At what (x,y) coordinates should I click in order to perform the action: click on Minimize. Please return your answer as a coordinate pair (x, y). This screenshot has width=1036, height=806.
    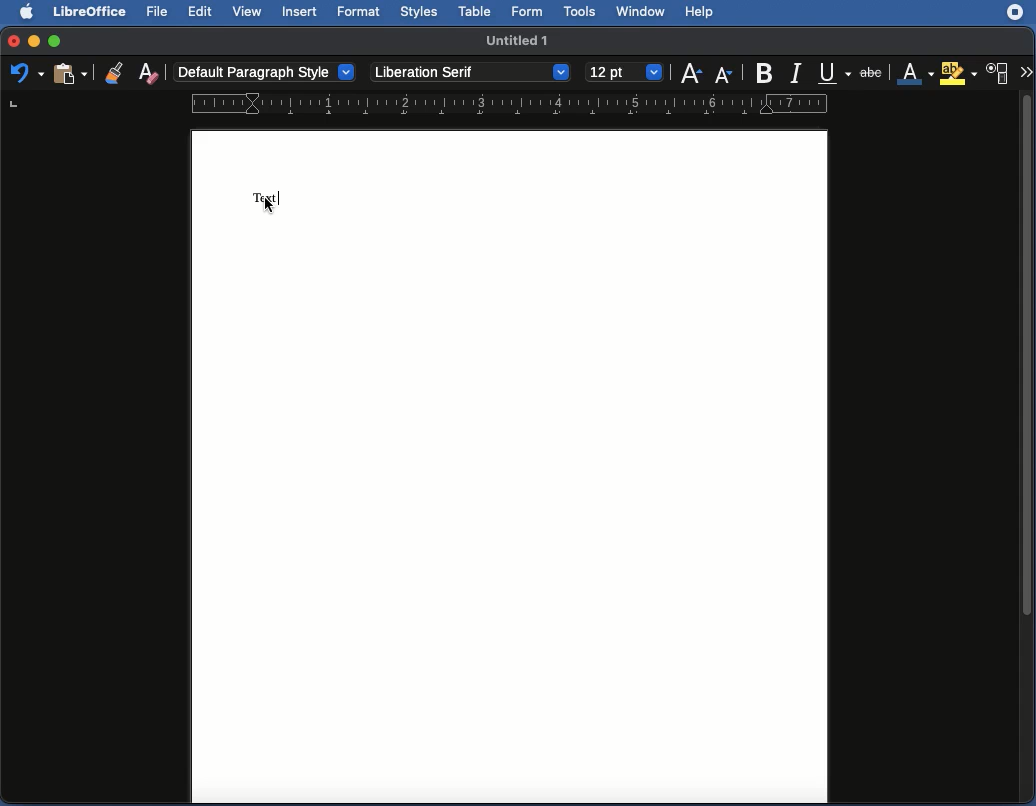
    Looking at the image, I should click on (35, 42).